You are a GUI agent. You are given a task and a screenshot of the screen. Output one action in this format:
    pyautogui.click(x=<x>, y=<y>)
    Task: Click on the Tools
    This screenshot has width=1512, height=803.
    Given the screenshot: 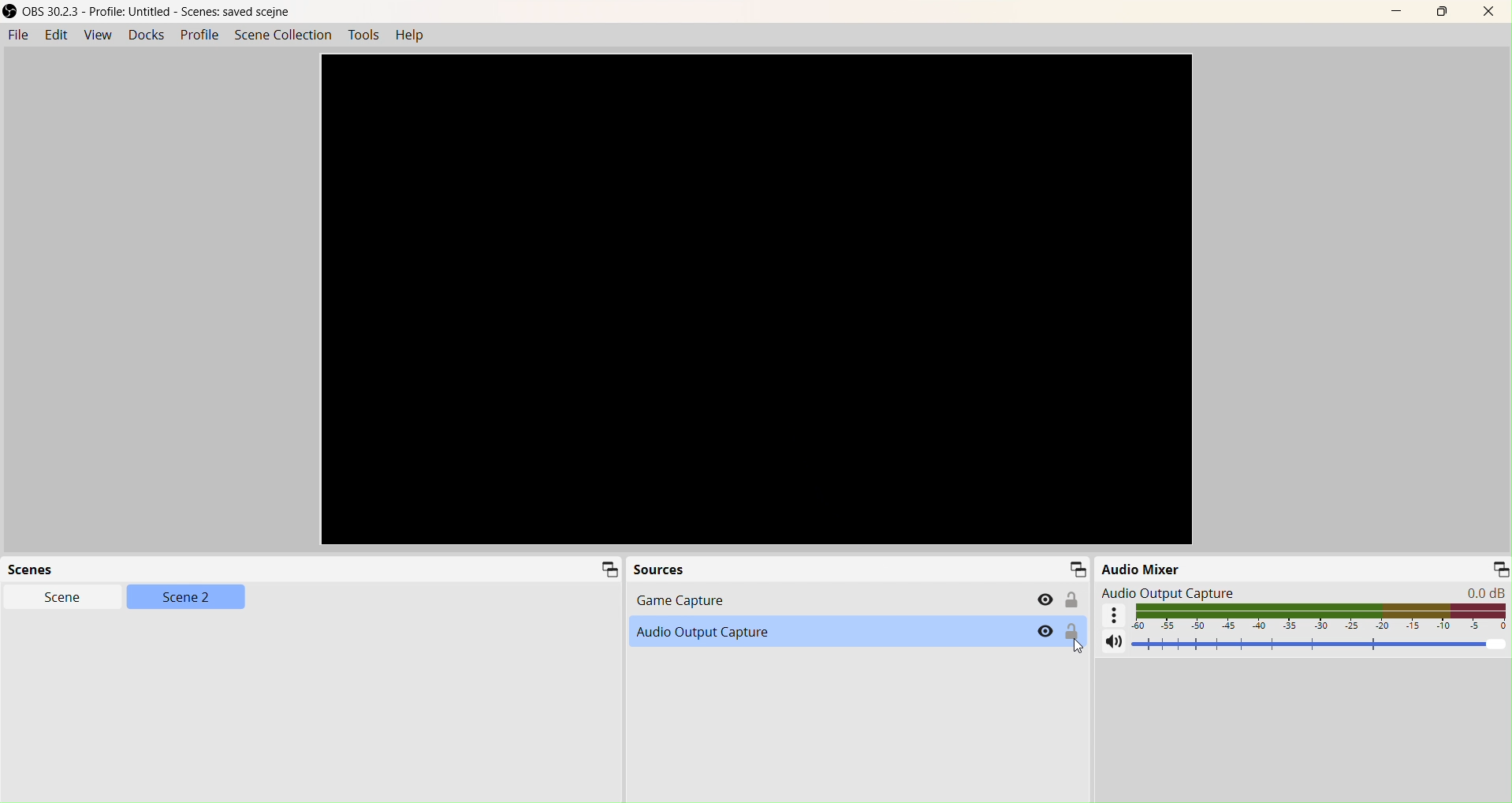 What is the action you would take?
    pyautogui.click(x=363, y=36)
    